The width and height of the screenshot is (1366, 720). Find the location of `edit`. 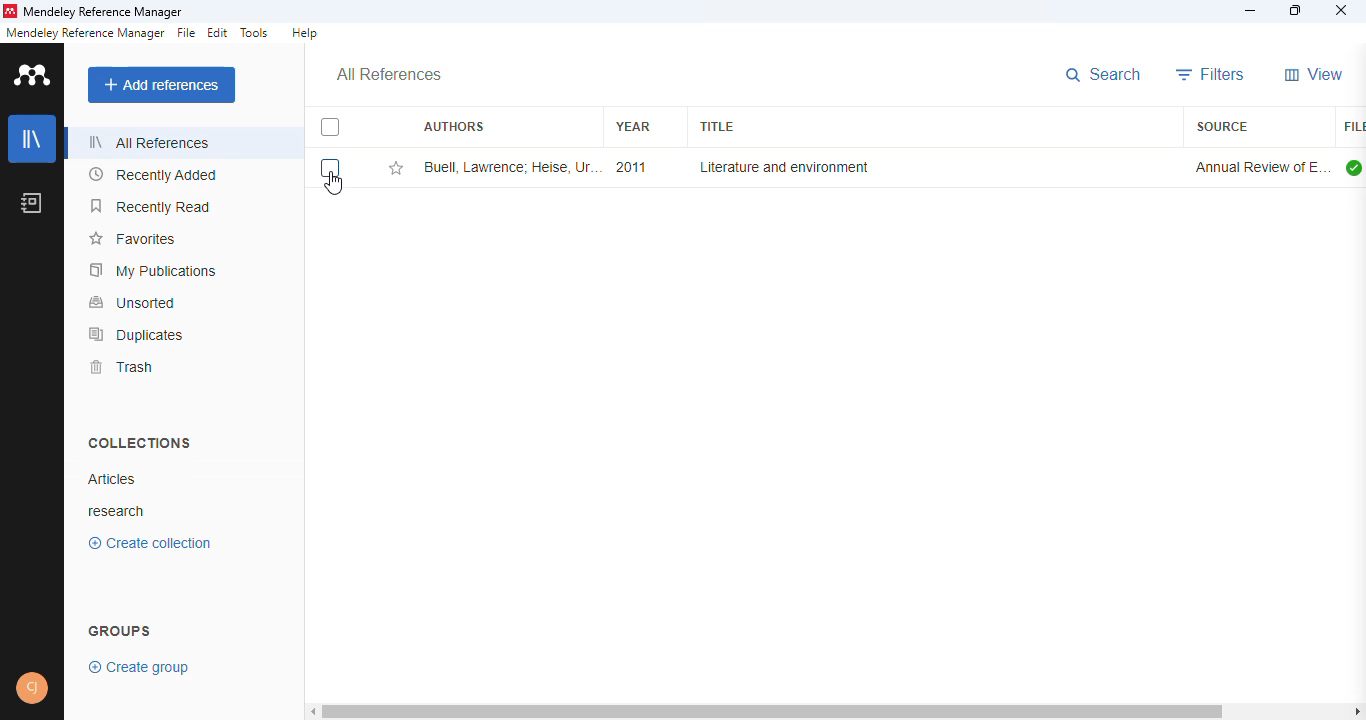

edit is located at coordinates (219, 32).